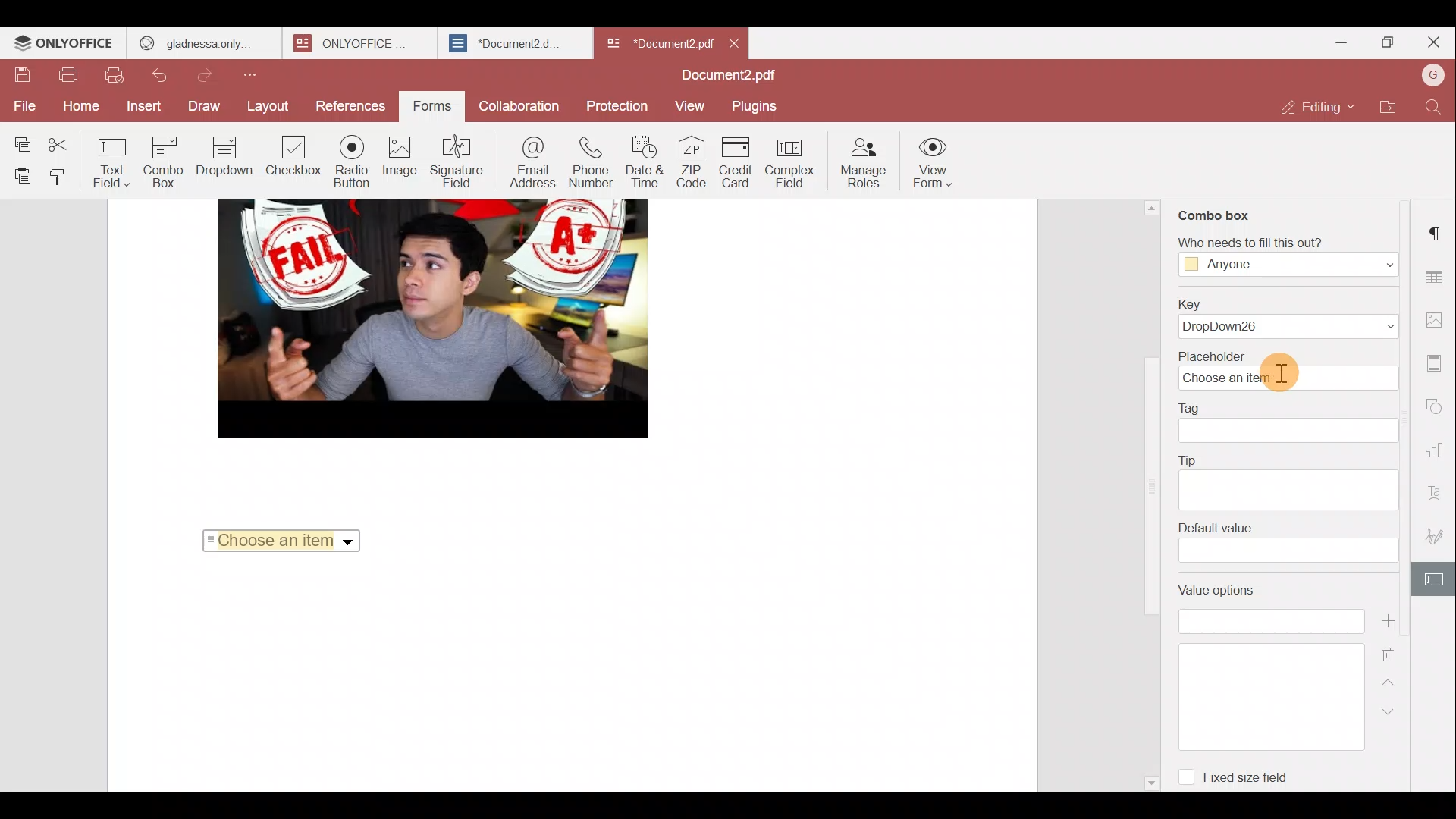 Image resolution: width=1456 pixels, height=819 pixels. Describe the element at coordinates (658, 42) in the screenshot. I see `*Document2 pdf` at that location.